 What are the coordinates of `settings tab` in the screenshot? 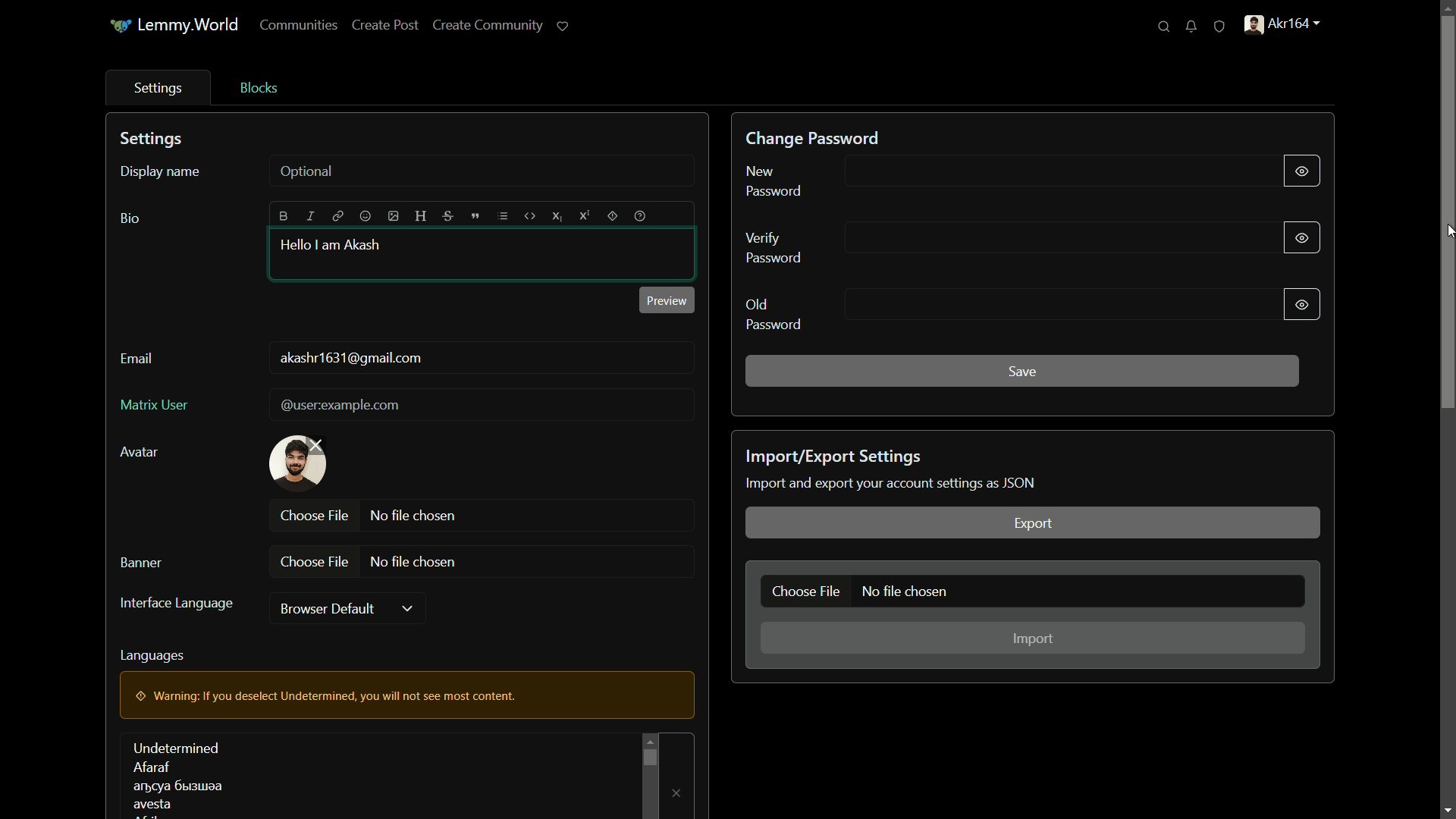 It's located at (161, 89).